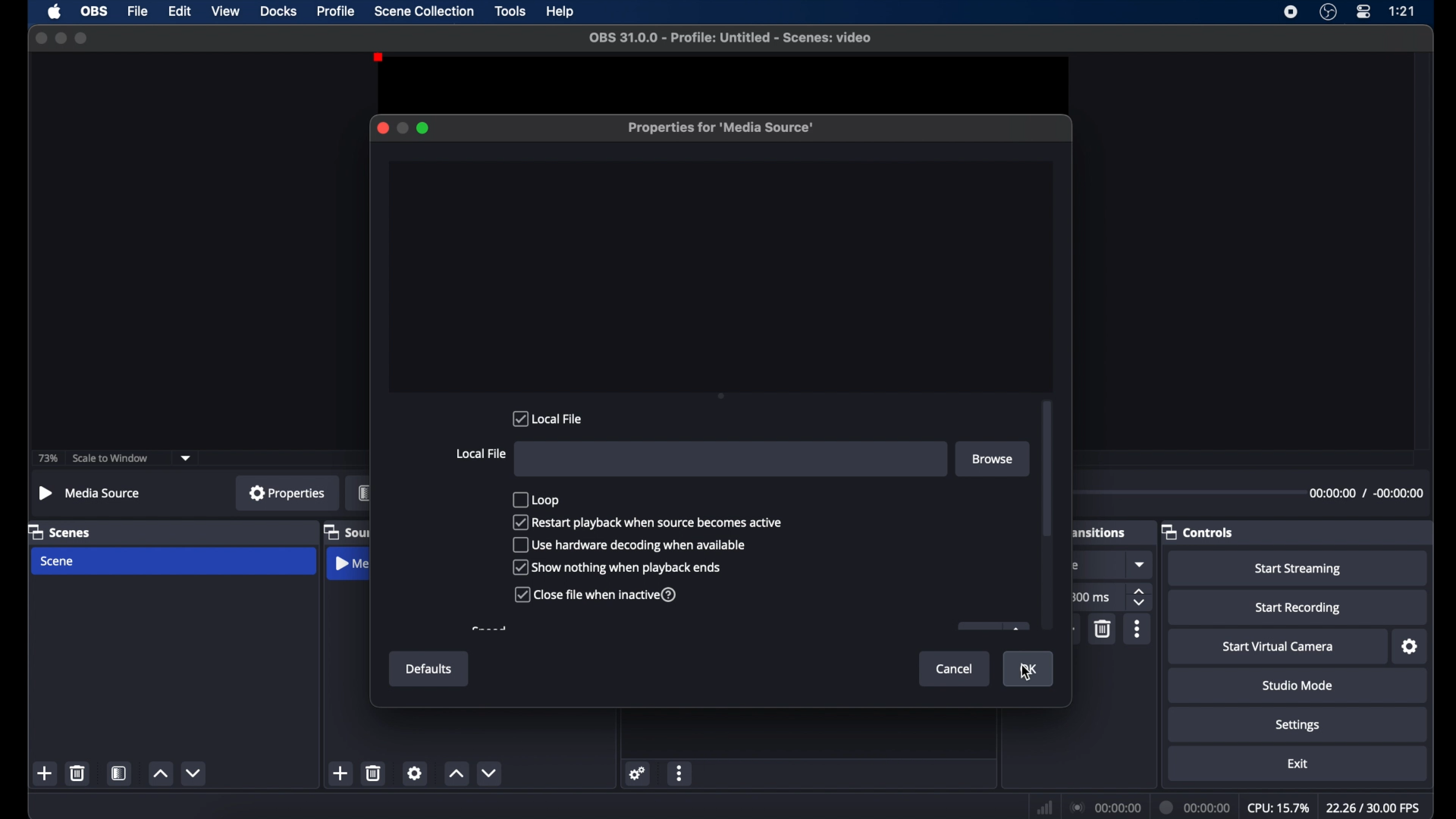  Describe the element at coordinates (681, 774) in the screenshot. I see `more options` at that location.